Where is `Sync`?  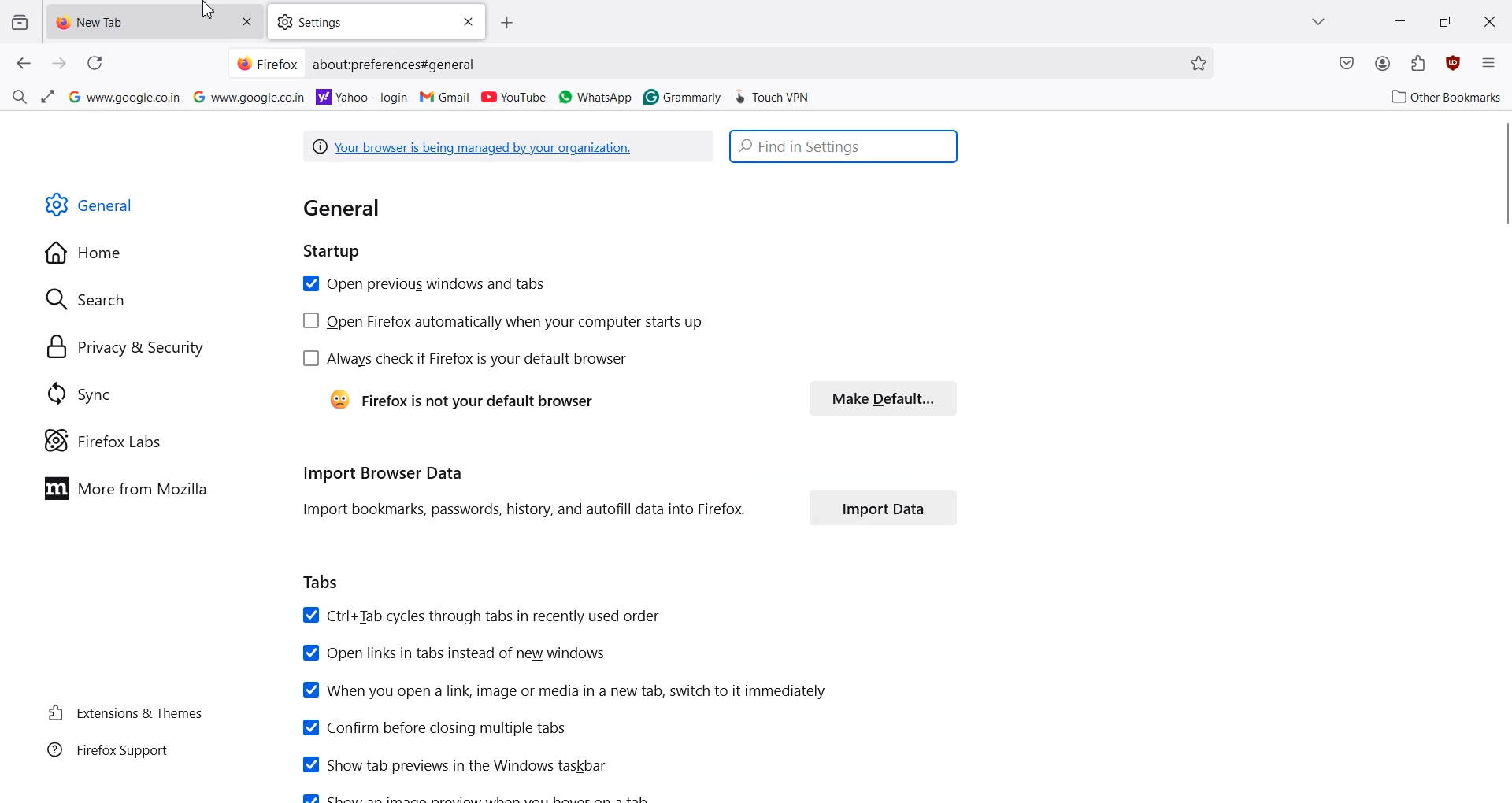
Sync is located at coordinates (80, 394).